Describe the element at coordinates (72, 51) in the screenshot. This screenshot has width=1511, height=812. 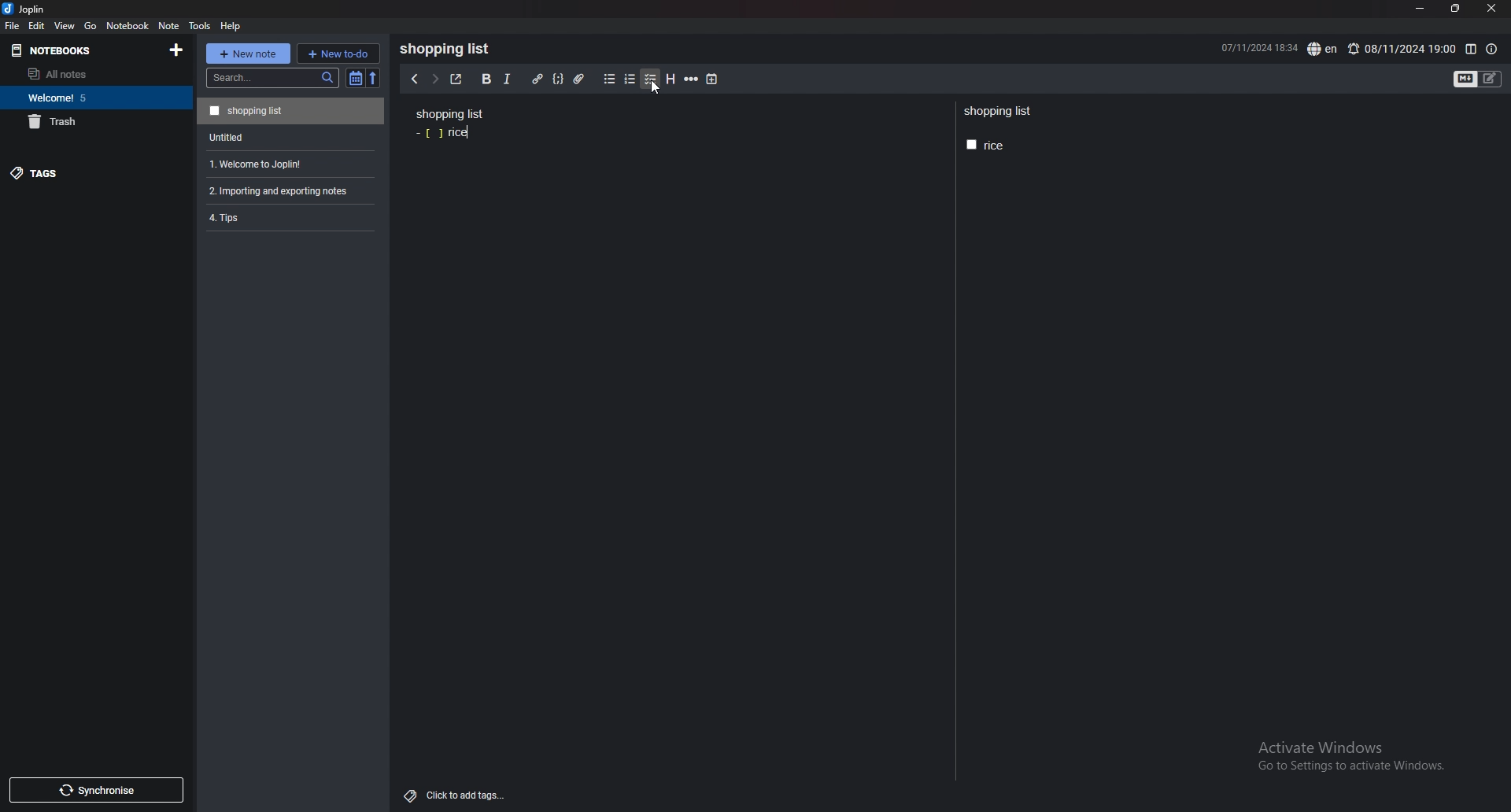
I see `notebooks` at that location.